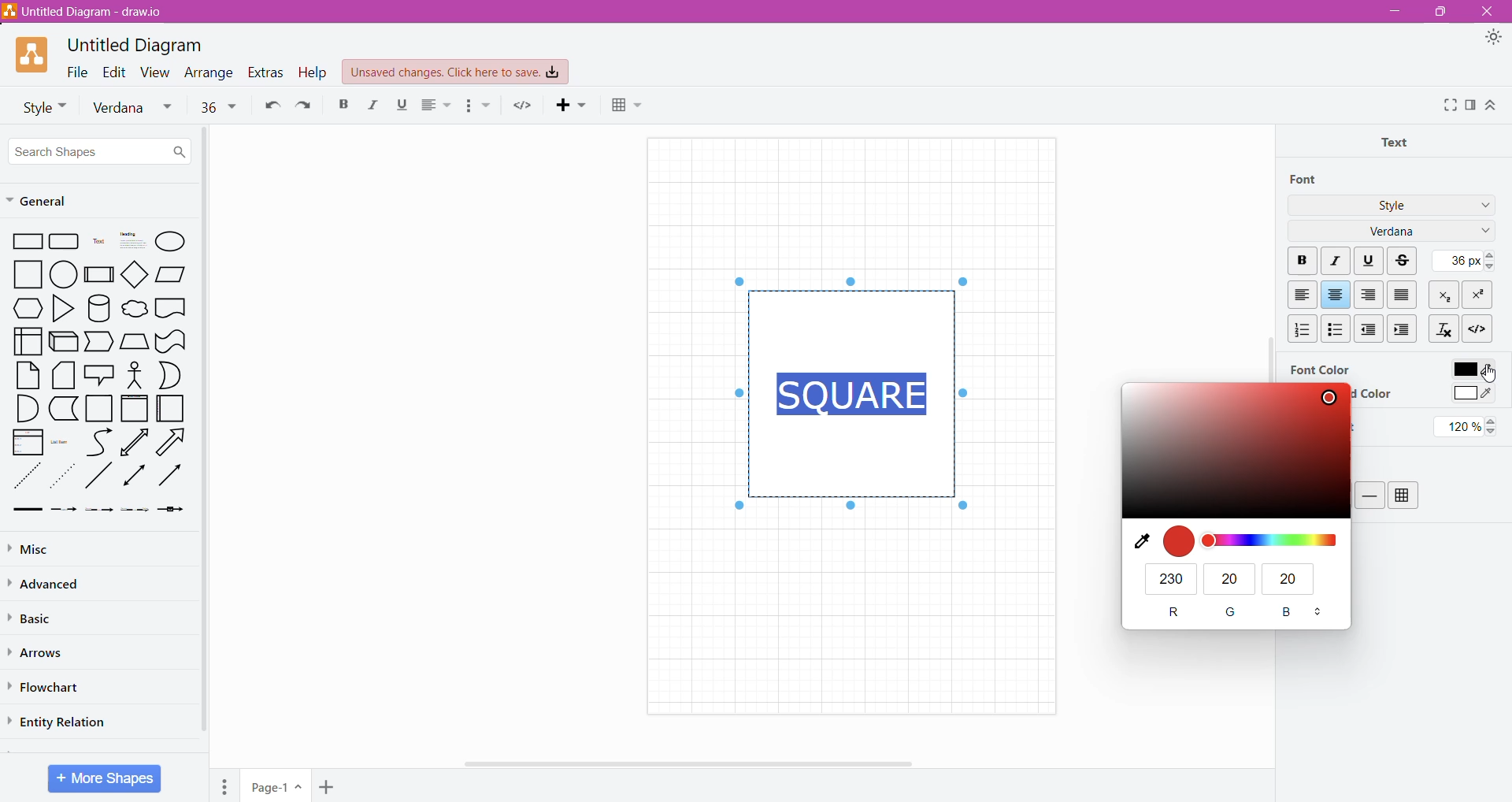 This screenshot has height=802, width=1512. Describe the element at coordinates (1370, 495) in the screenshot. I see `Insert Horizontal Line` at that location.